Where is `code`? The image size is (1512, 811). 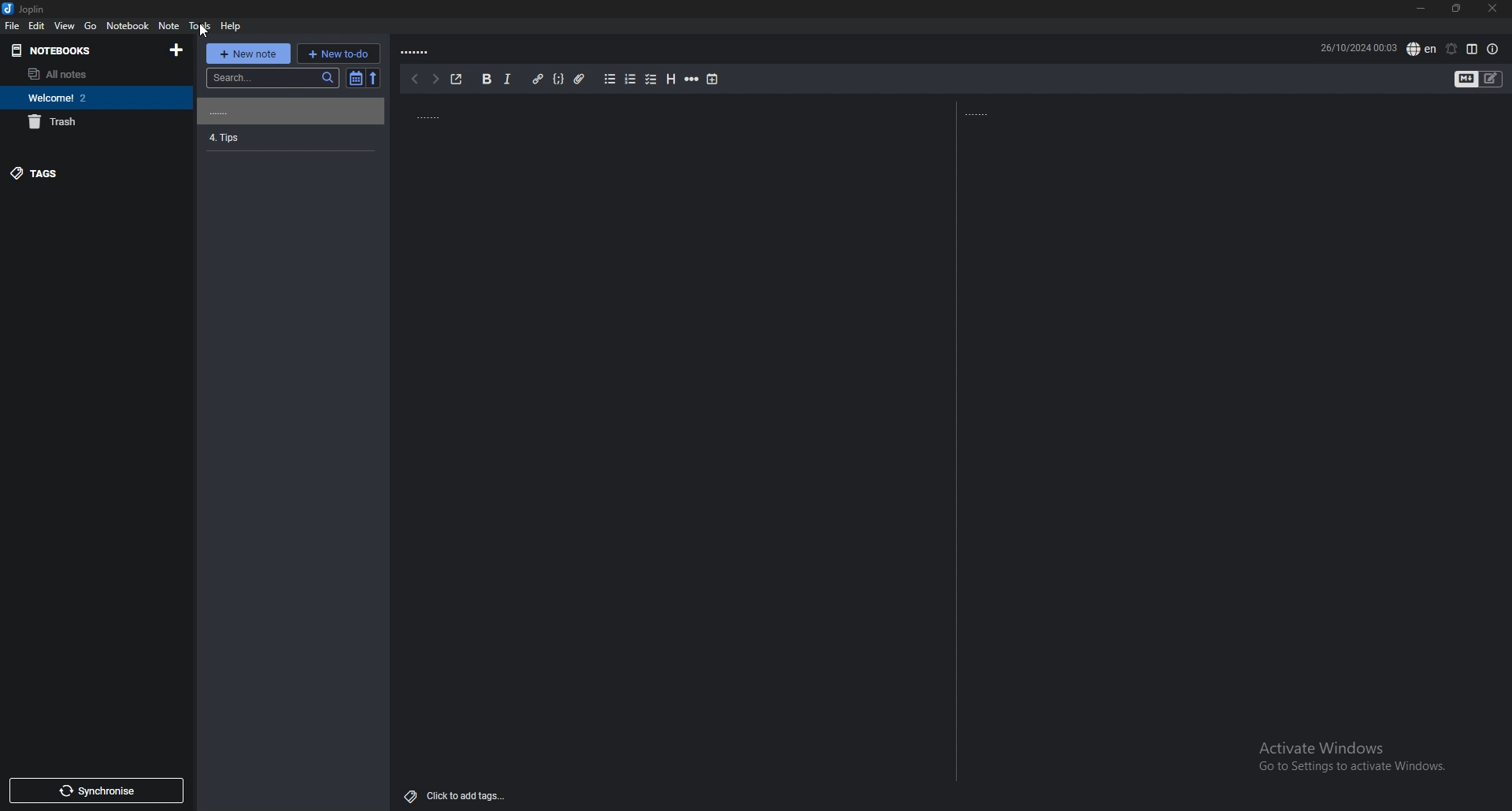 code is located at coordinates (558, 79).